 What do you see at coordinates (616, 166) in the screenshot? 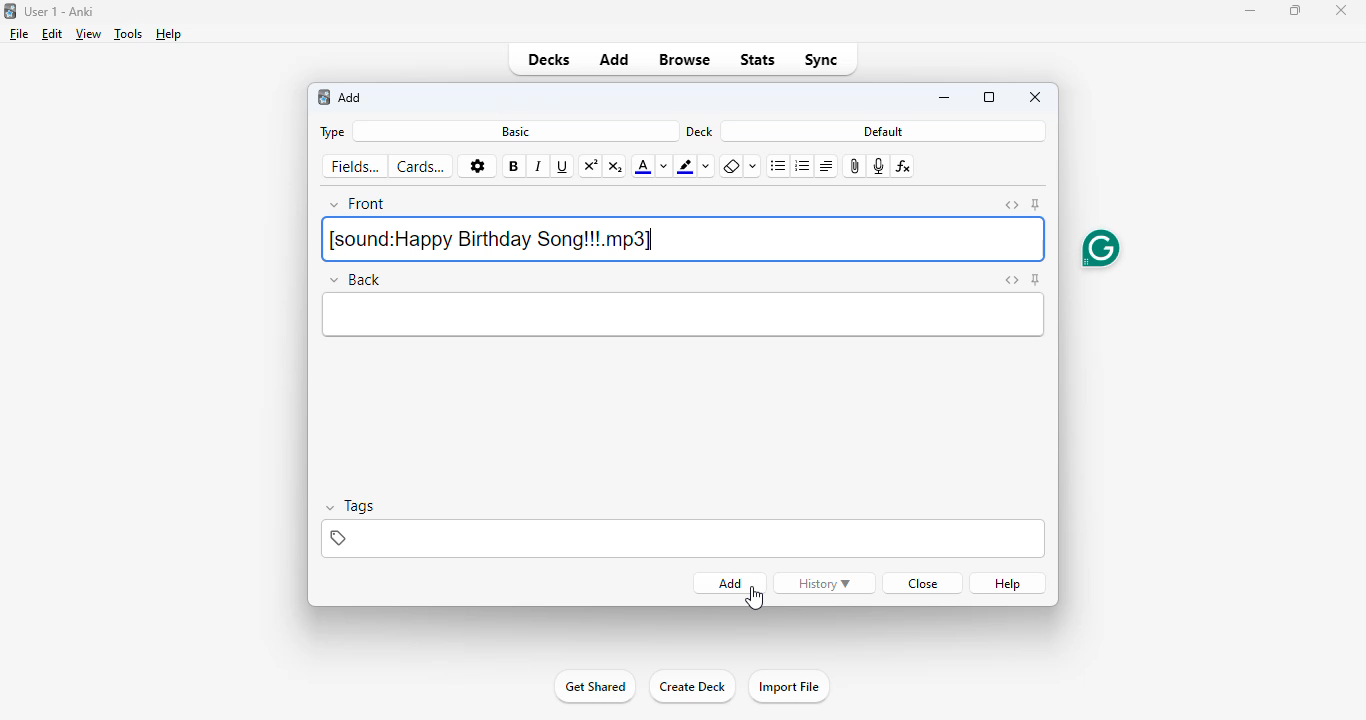
I see `subscript` at bounding box center [616, 166].